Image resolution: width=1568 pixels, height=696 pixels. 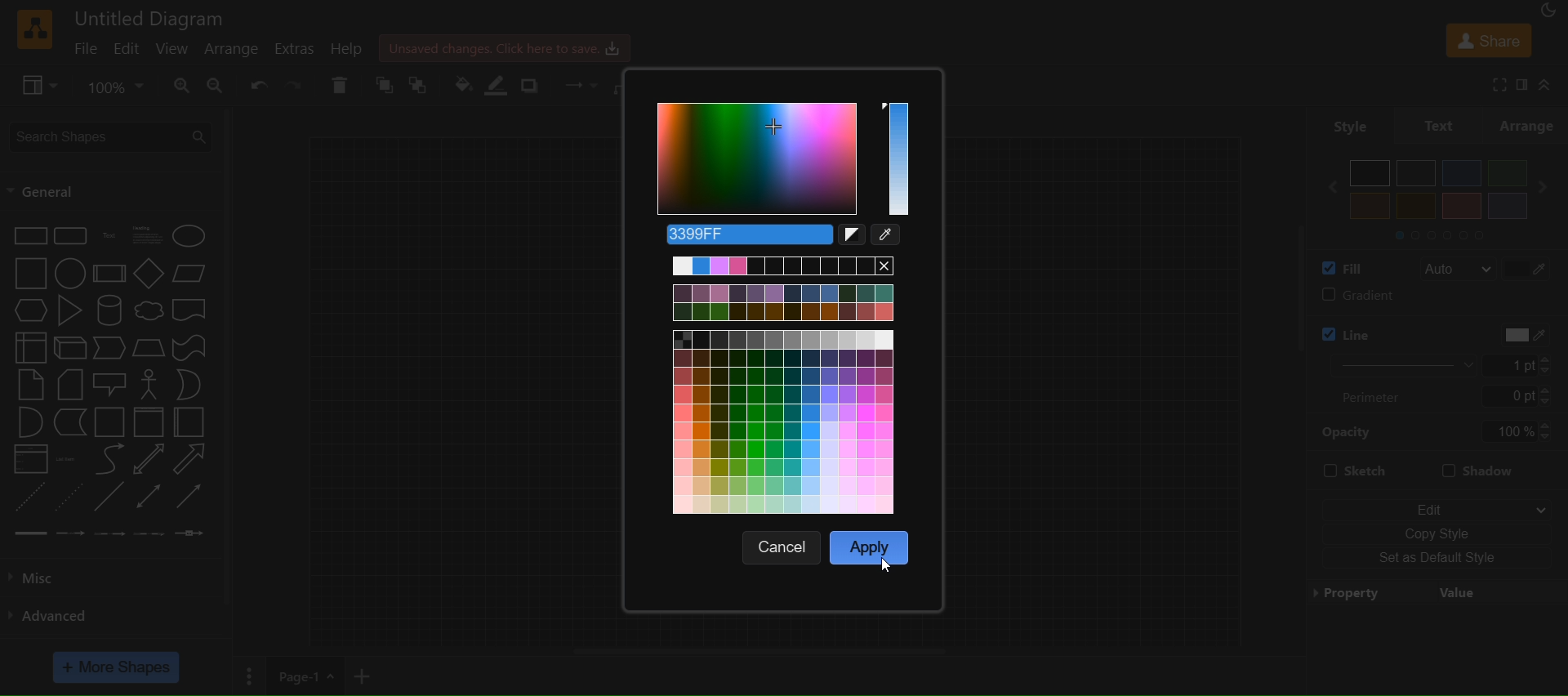 What do you see at coordinates (1486, 468) in the screenshot?
I see `shadow` at bounding box center [1486, 468].